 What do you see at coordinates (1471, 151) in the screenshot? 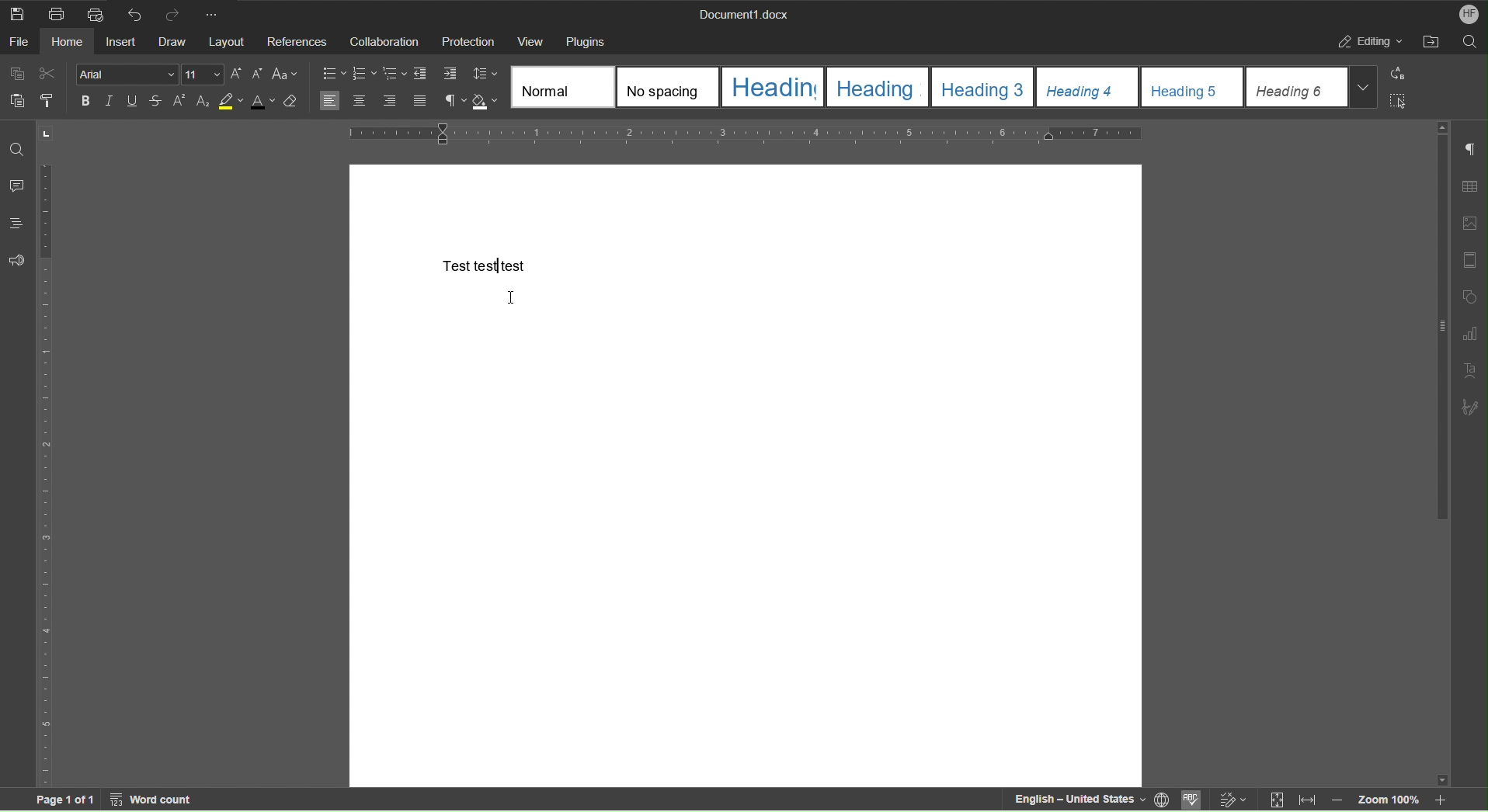
I see `Non-Printing Characters` at bounding box center [1471, 151].